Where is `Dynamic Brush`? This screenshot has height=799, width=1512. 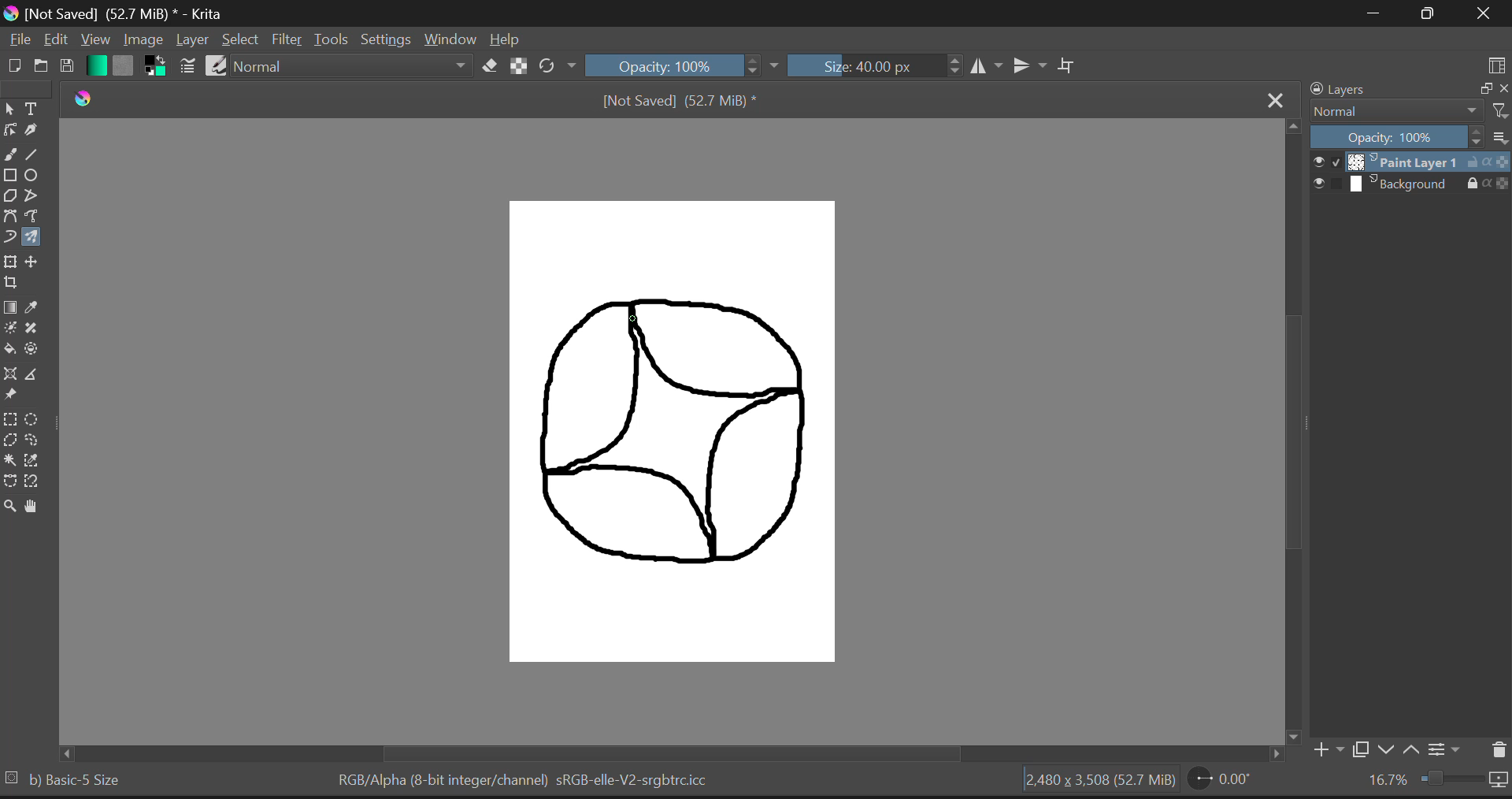
Dynamic Brush is located at coordinates (9, 237).